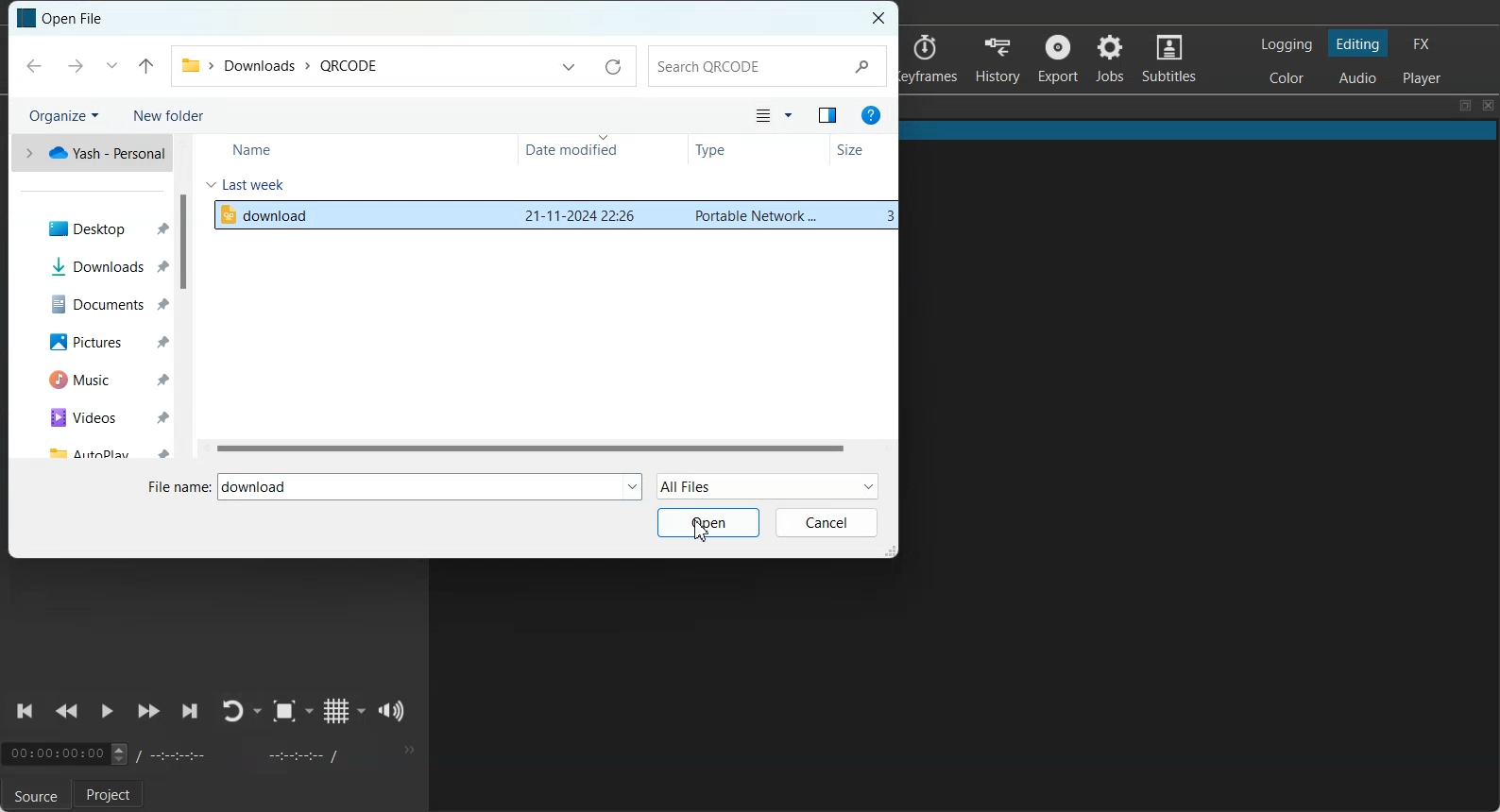  Describe the element at coordinates (789, 116) in the screenshot. I see `More Option` at that location.